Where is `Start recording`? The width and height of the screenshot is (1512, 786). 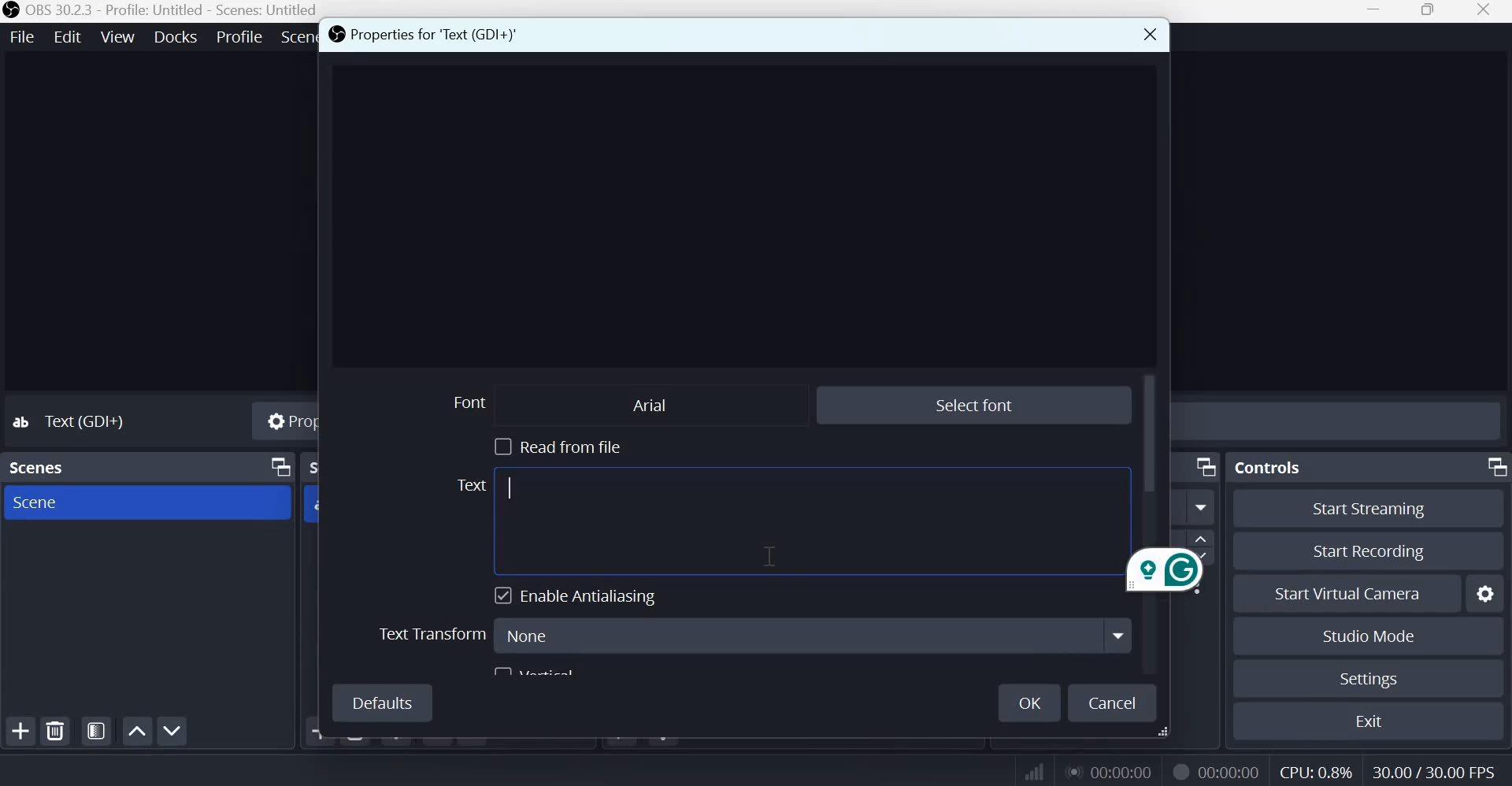 Start recording is located at coordinates (1364, 552).